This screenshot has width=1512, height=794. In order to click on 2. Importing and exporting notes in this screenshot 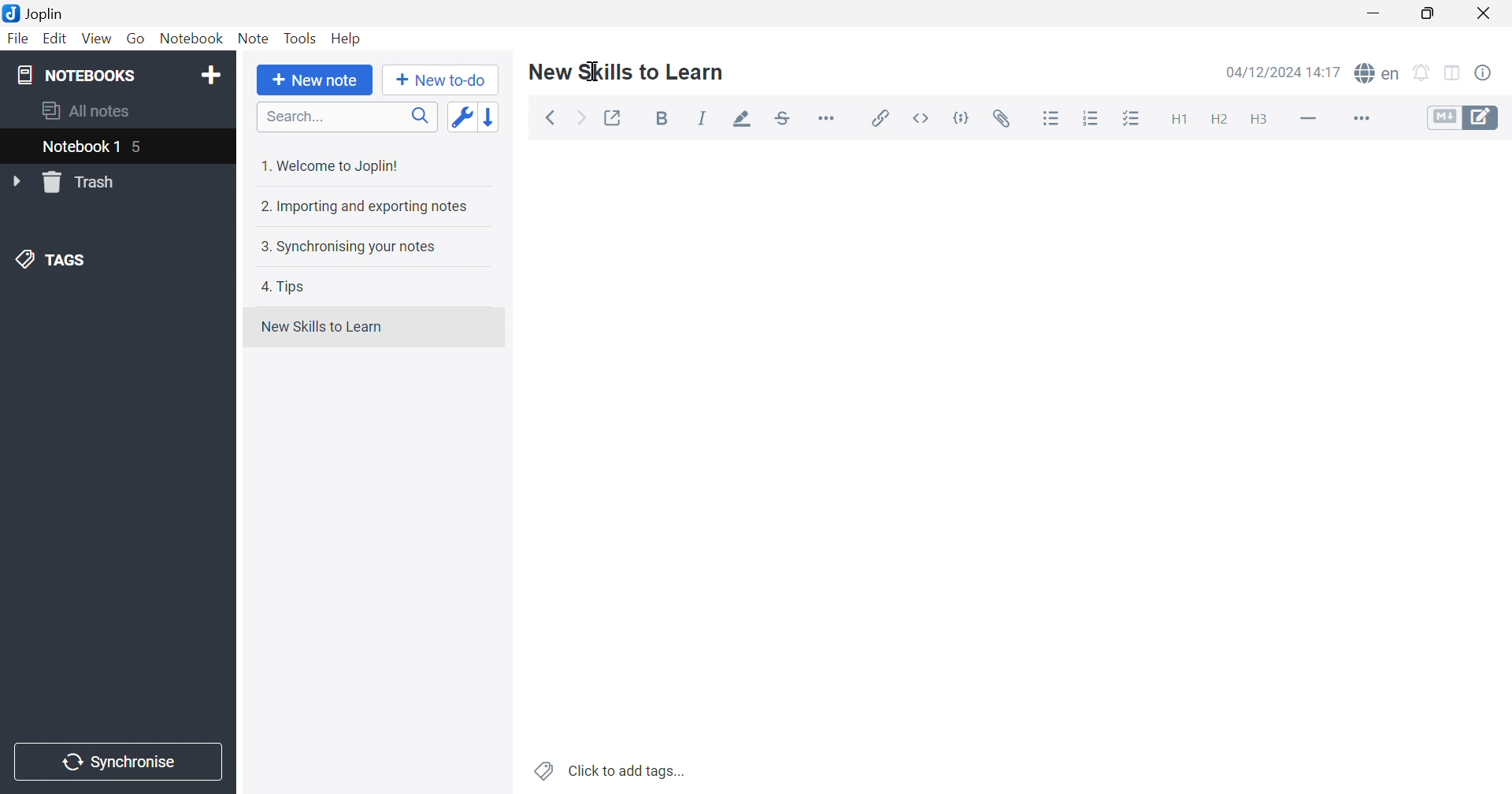, I will do `click(362, 206)`.